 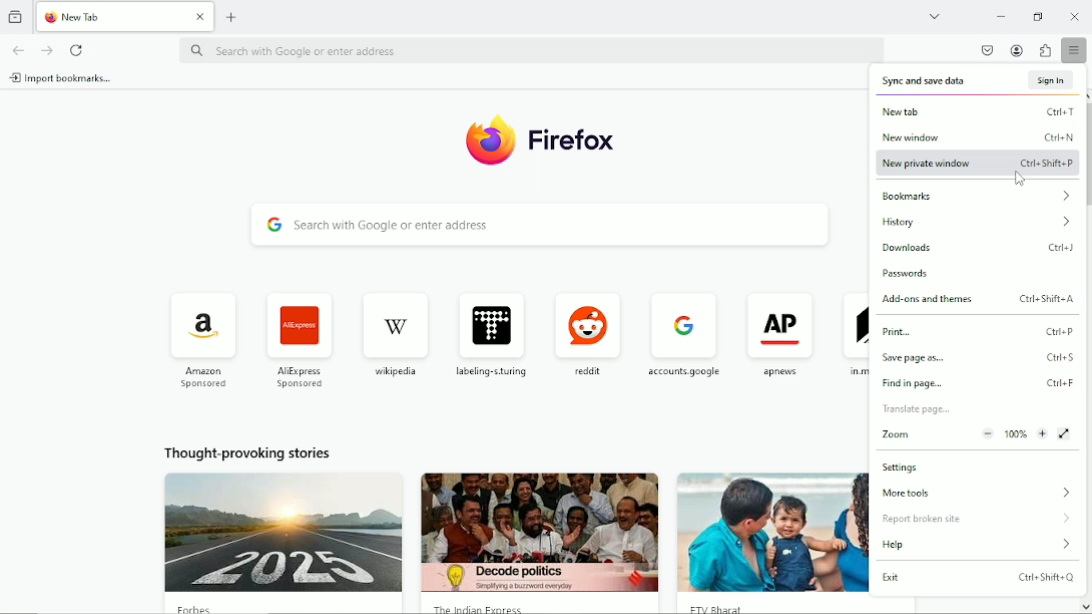 What do you see at coordinates (920, 520) in the screenshot?
I see `report broken site` at bounding box center [920, 520].